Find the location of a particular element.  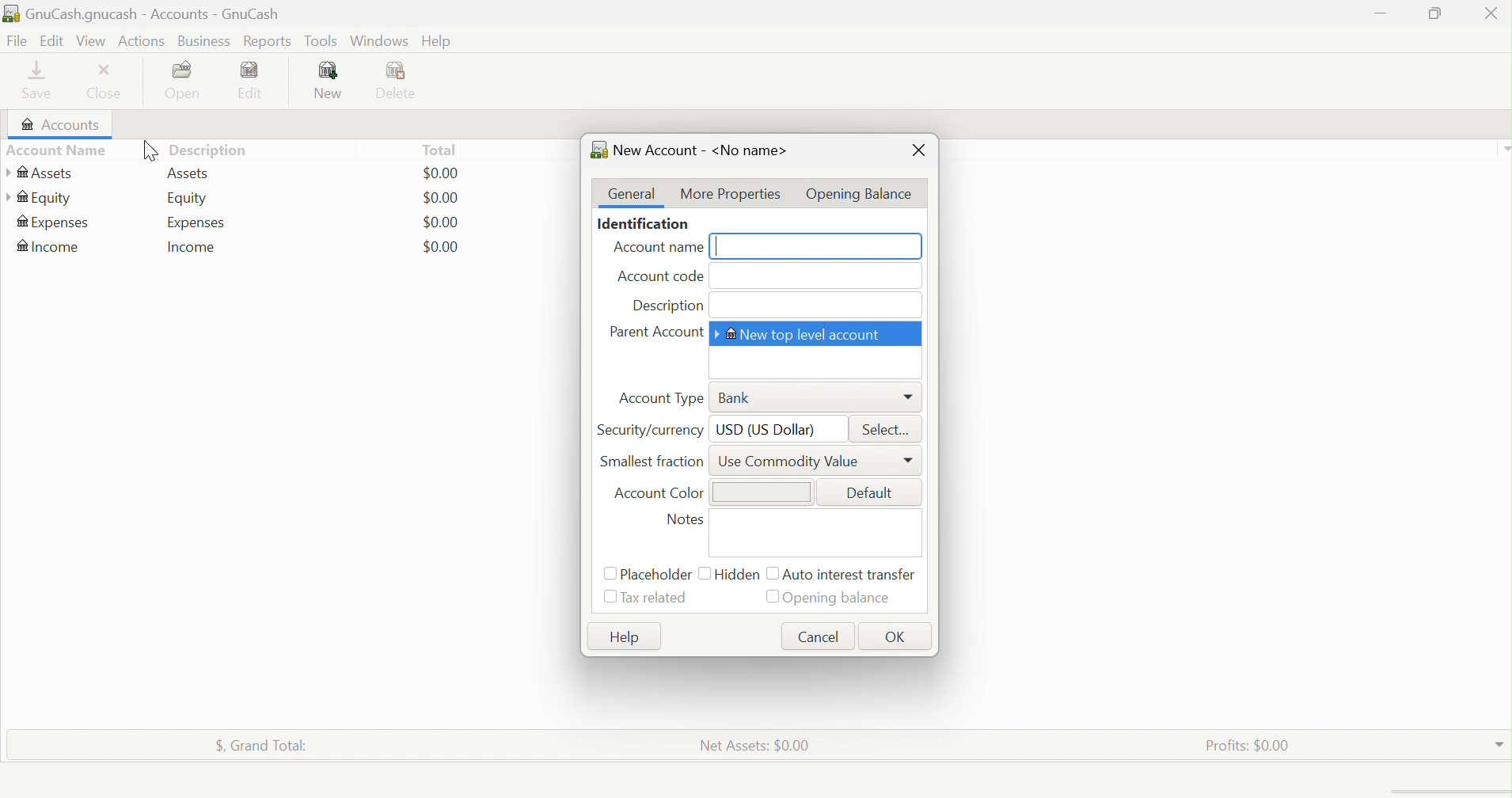

Actions is located at coordinates (144, 40).